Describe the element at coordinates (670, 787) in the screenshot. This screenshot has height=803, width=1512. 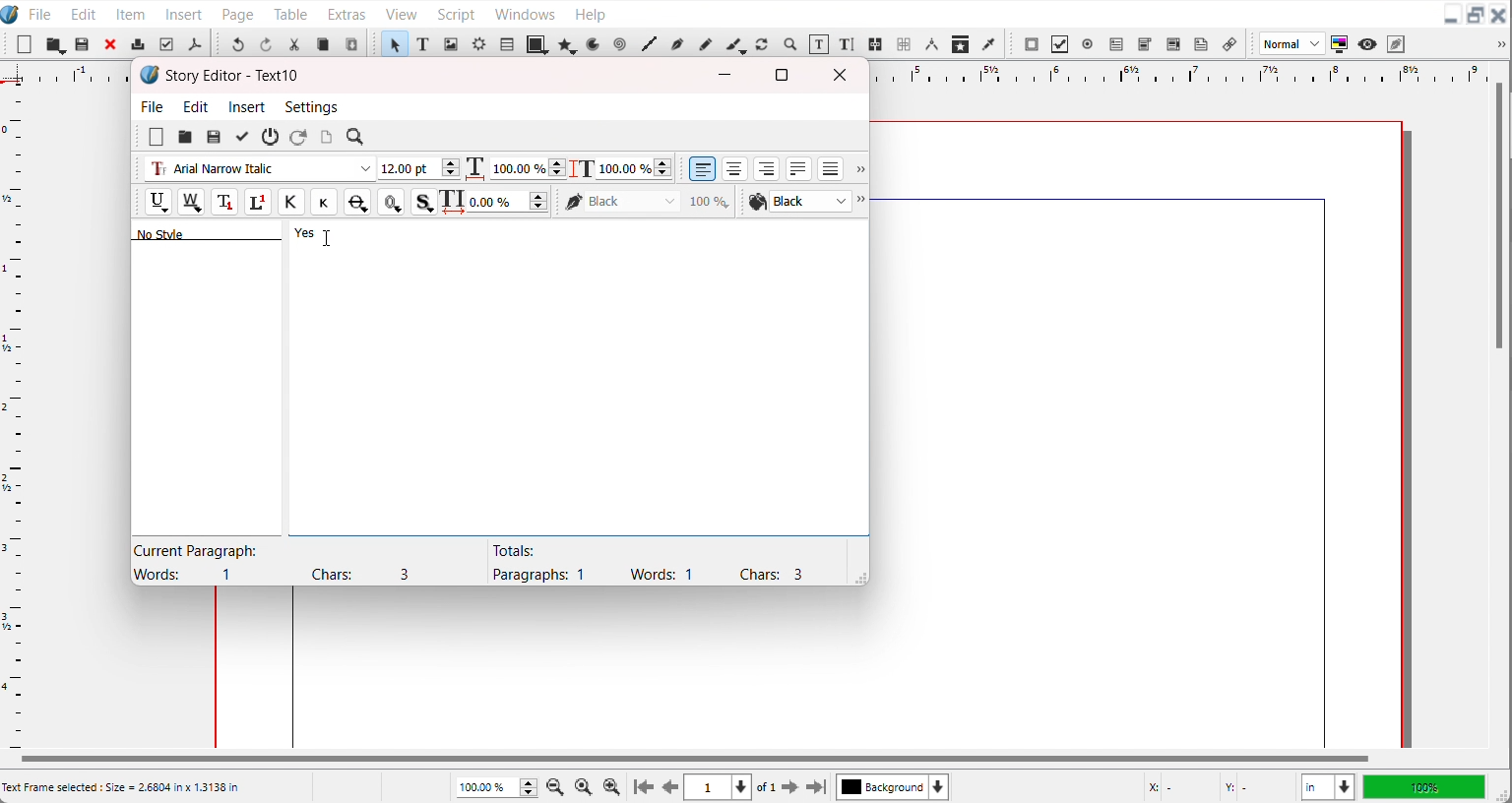
I see `Go to previous page` at that location.